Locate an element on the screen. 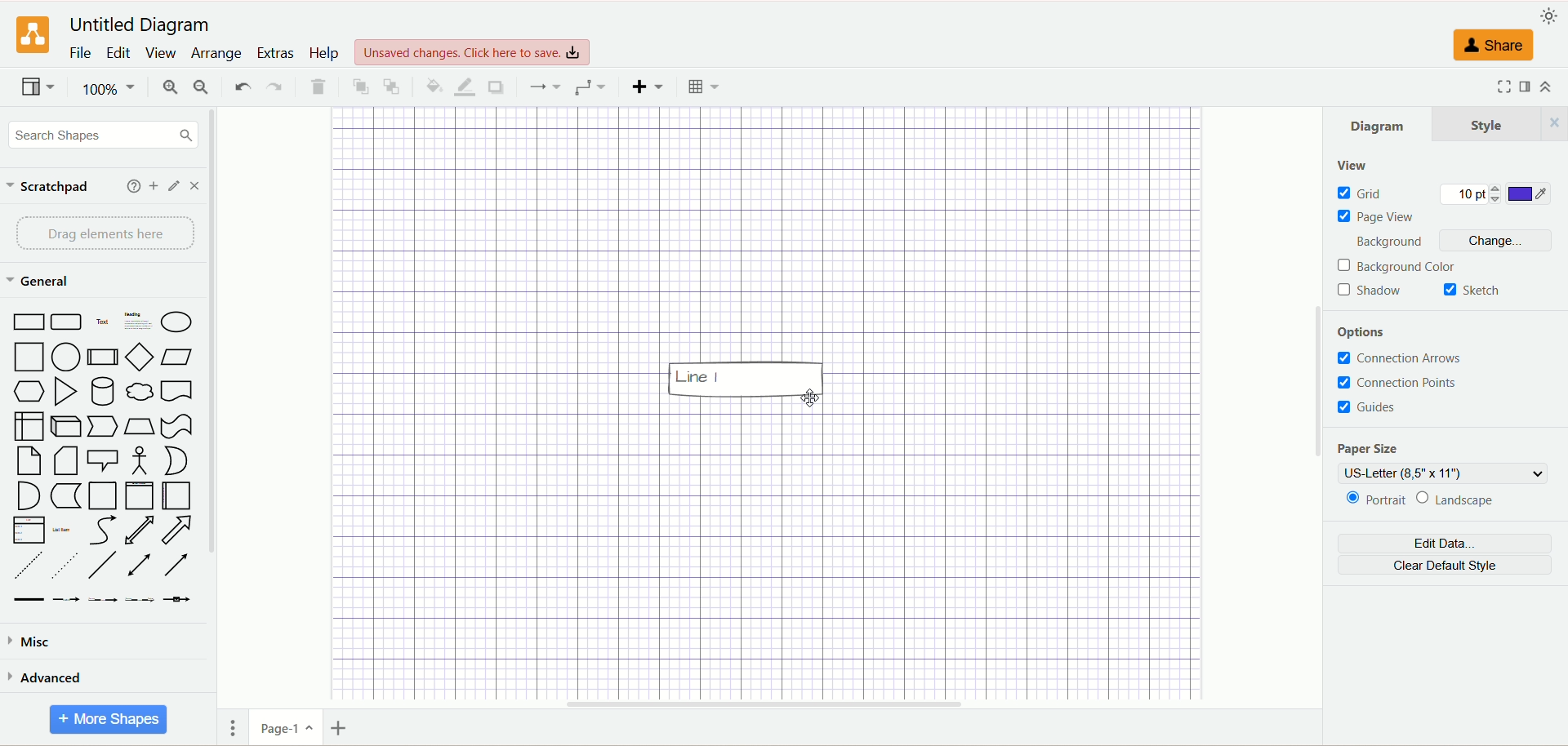 The image size is (1568, 746). Triangle is located at coordinates (65, 392).